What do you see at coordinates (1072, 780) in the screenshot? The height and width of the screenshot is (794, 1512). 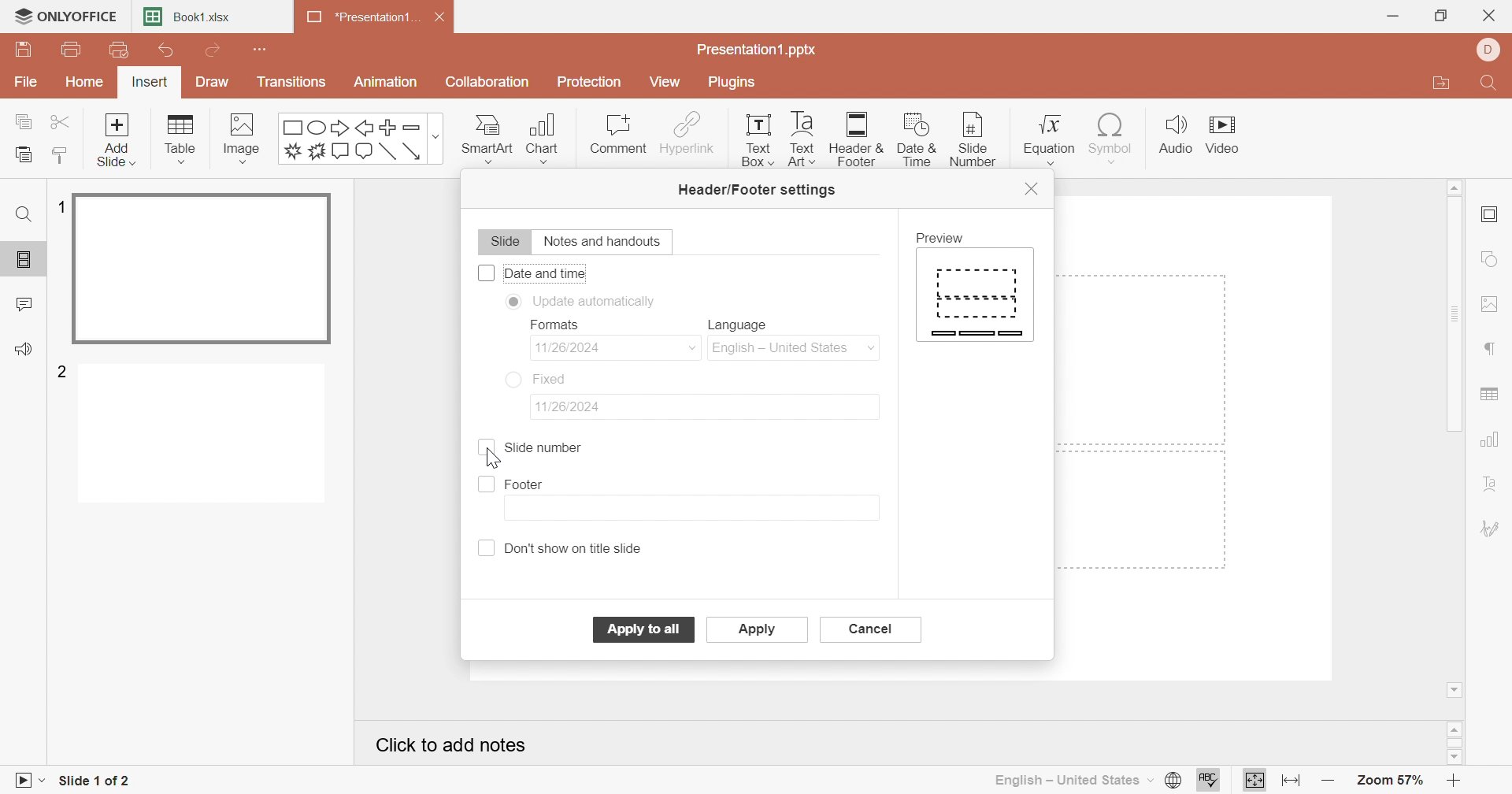 I see `English - United States` at bounding box center [1072, 780].